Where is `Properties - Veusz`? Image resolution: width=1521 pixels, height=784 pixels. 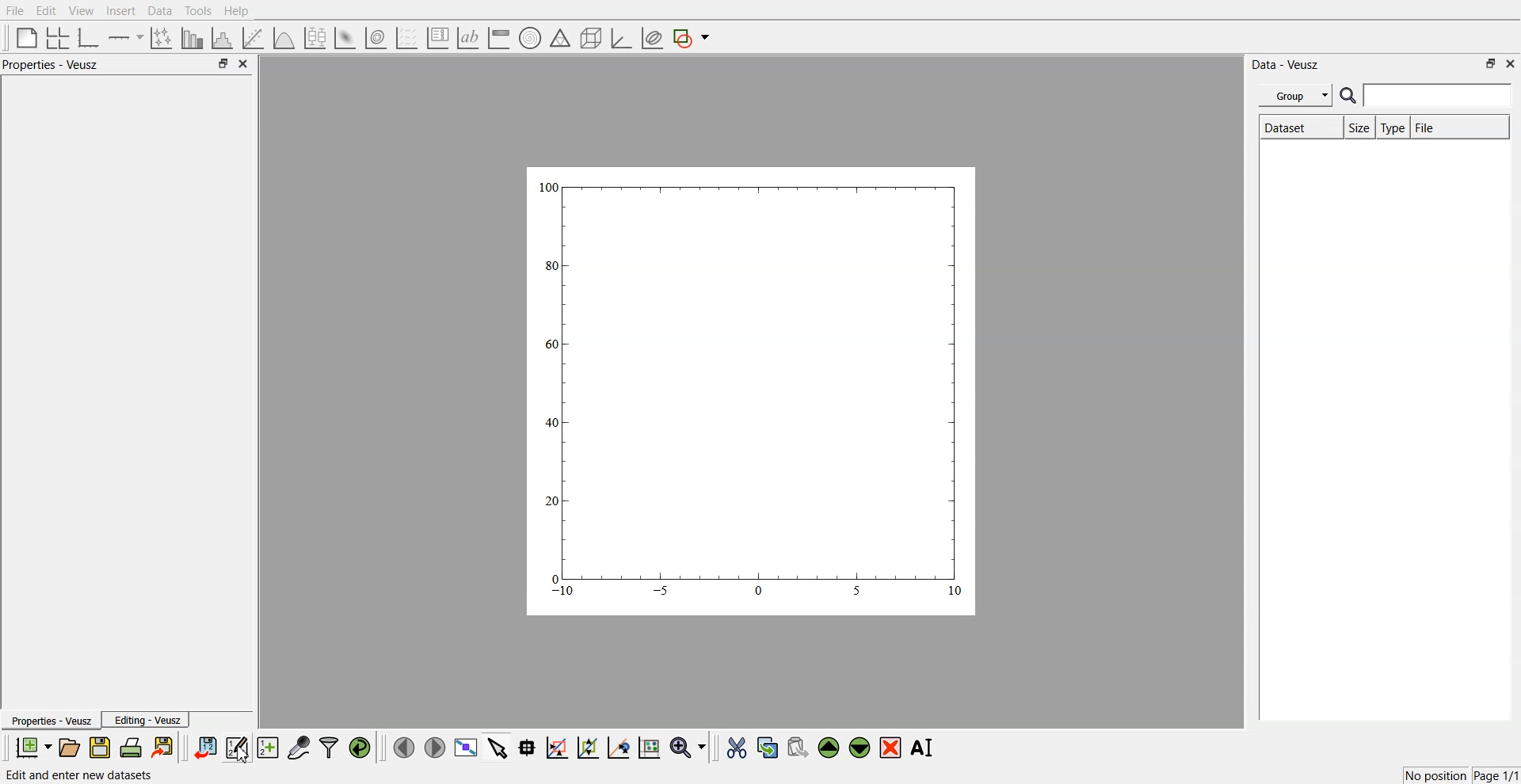
Properties - Veusz is located at coordinates (51, 721).